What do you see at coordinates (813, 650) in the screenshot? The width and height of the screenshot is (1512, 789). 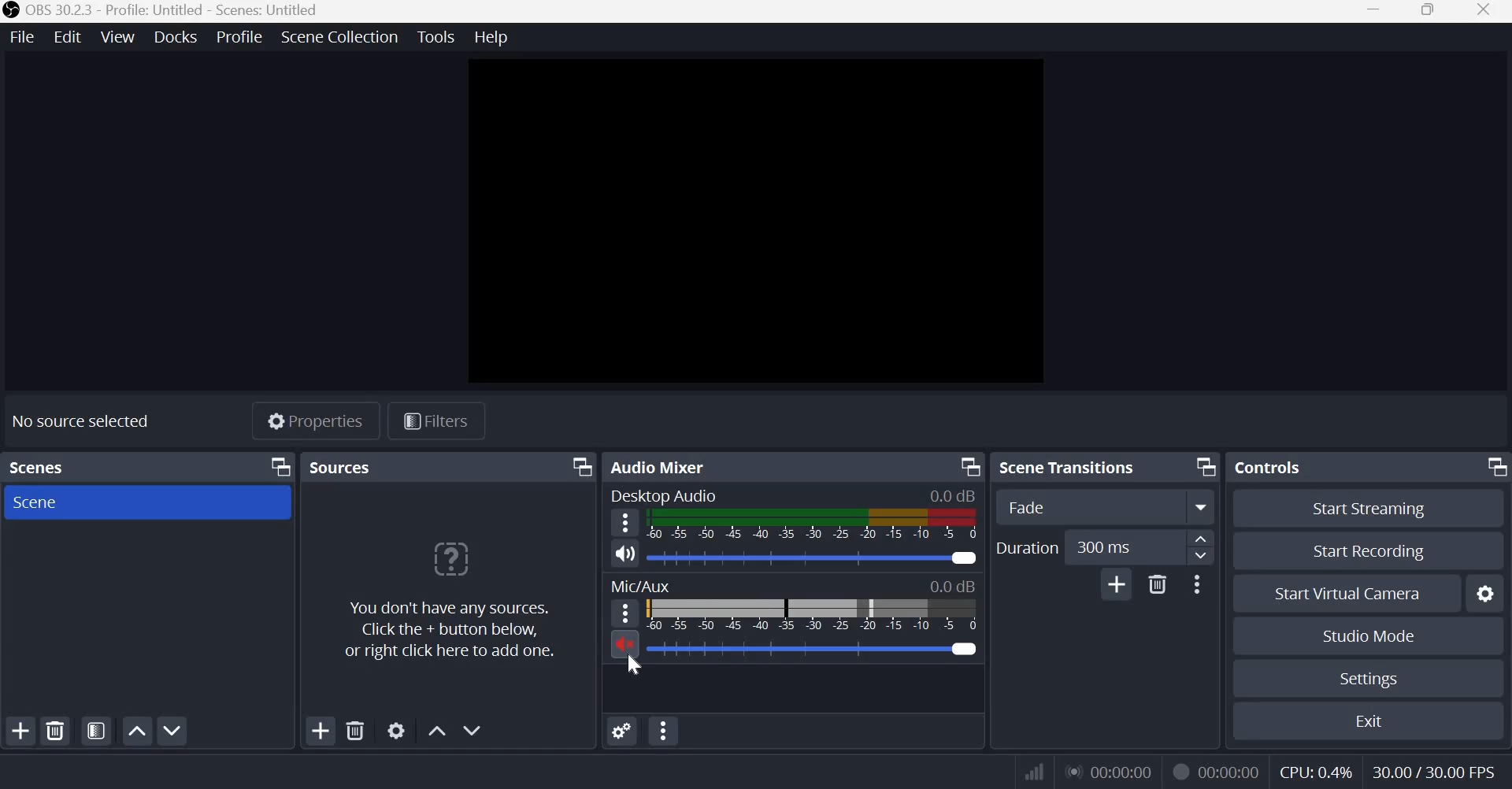 I see `Audio Slider` at bounding box center [813, 650].